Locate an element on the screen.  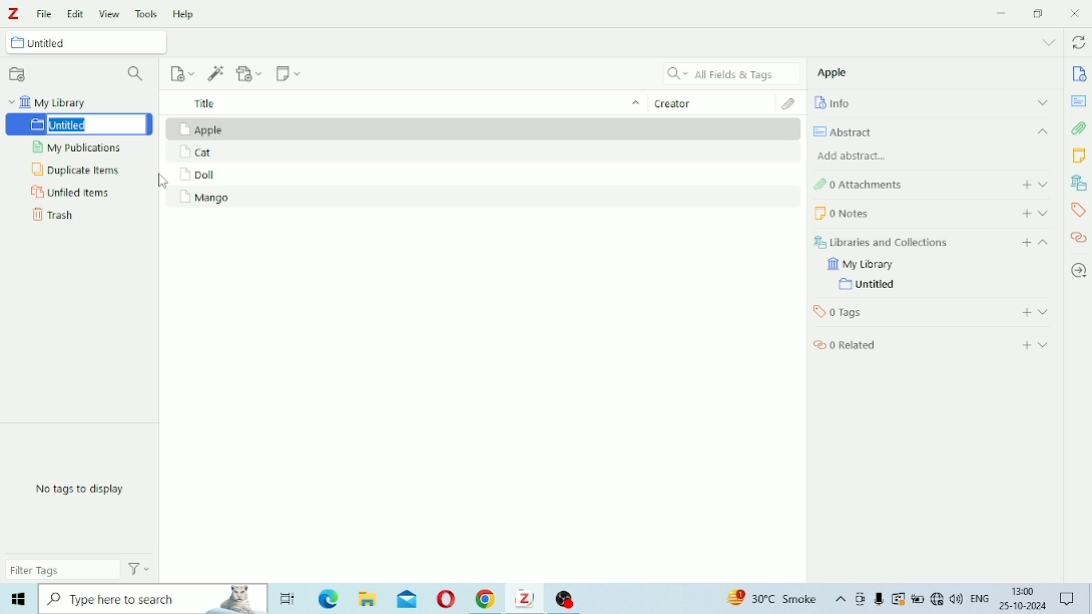
Libraries and Collections is located at coordinates (1077, 182).